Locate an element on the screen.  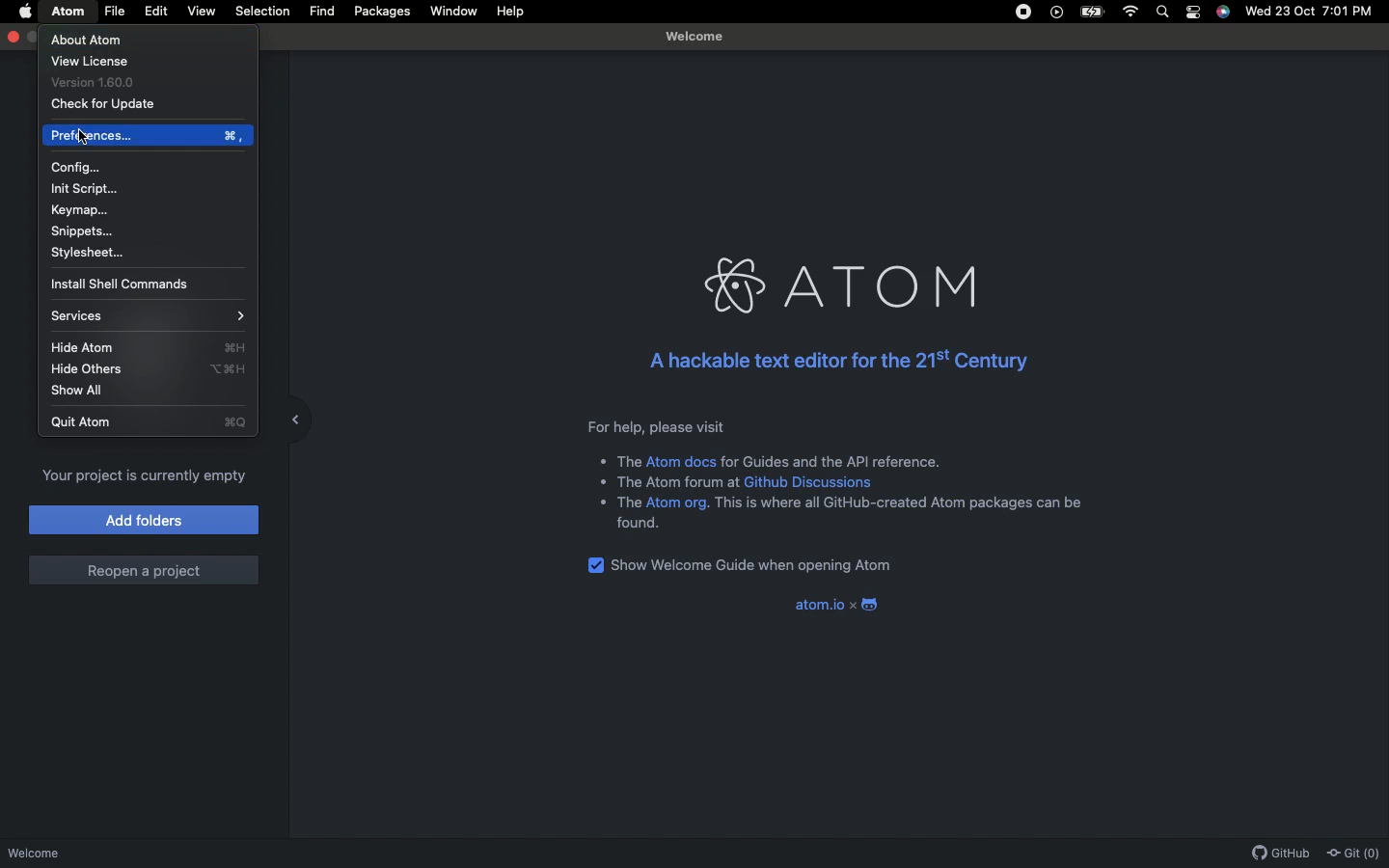
File is located at coordinates (116, 10).